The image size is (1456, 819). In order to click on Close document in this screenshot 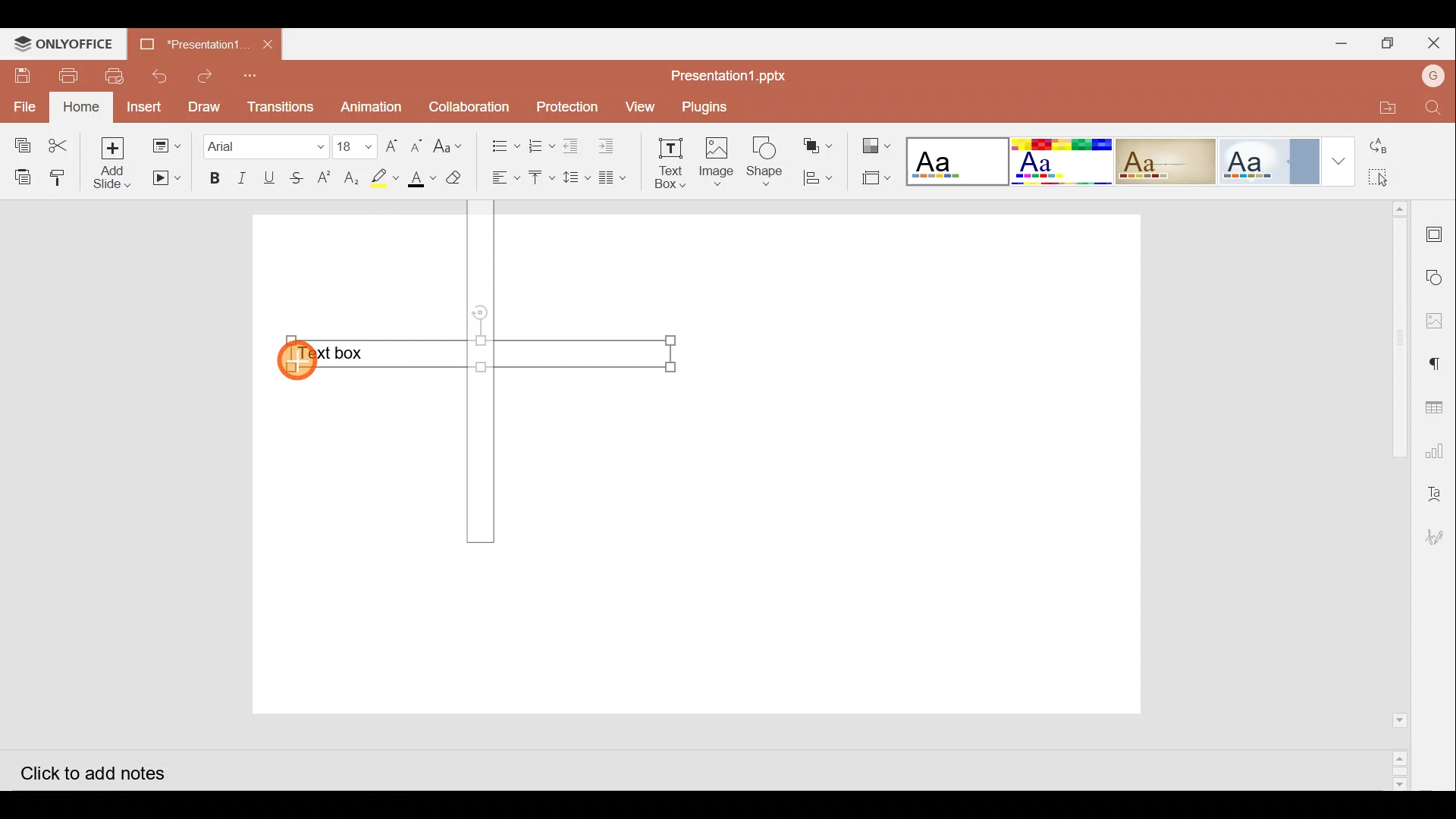, I will do `click(267, 42)`.